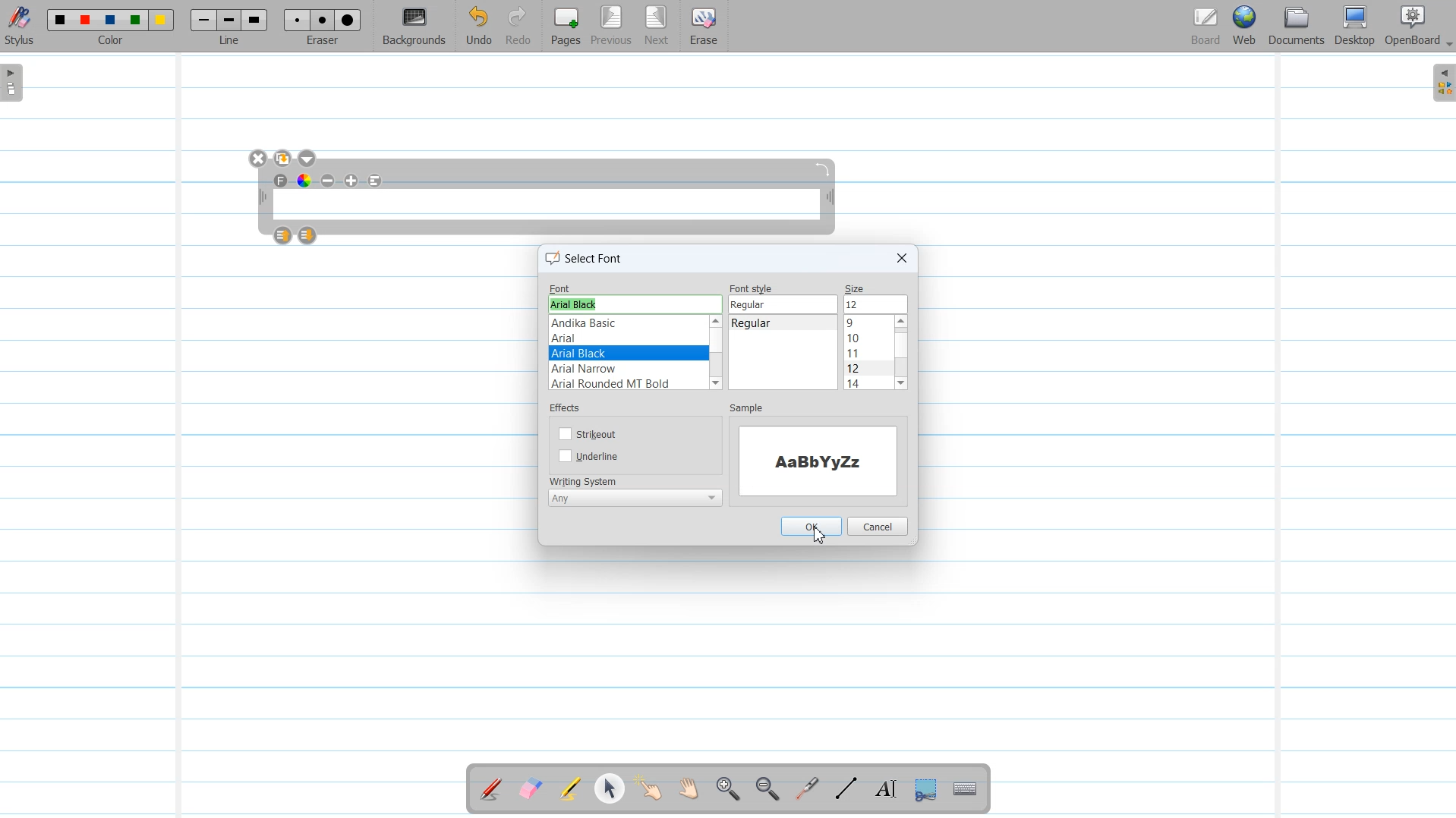  Describe the element at coordinates (568, 408) in the screenshot. I see `effects` at that location.